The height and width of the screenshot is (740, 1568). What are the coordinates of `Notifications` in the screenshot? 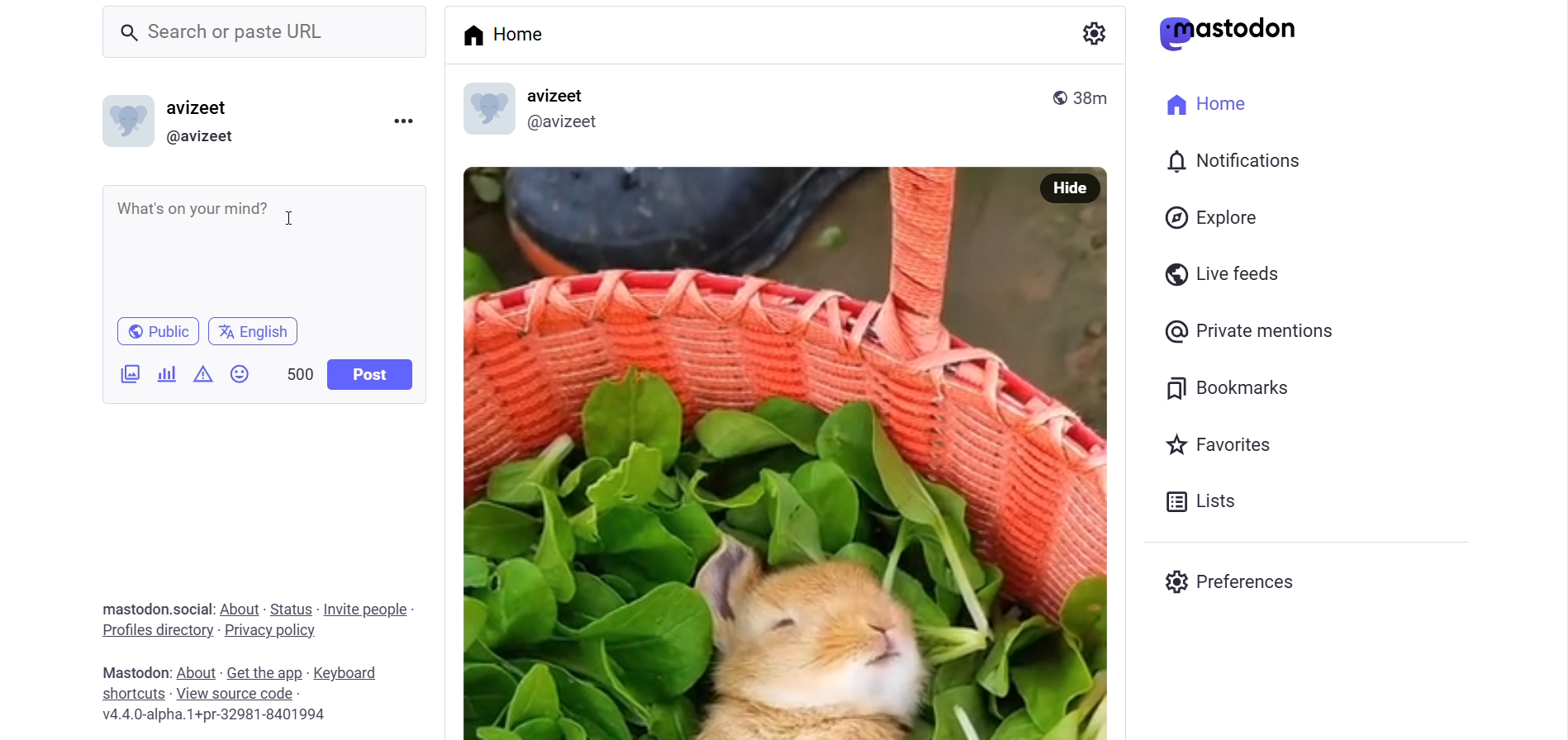 It's located at (1238, 161).